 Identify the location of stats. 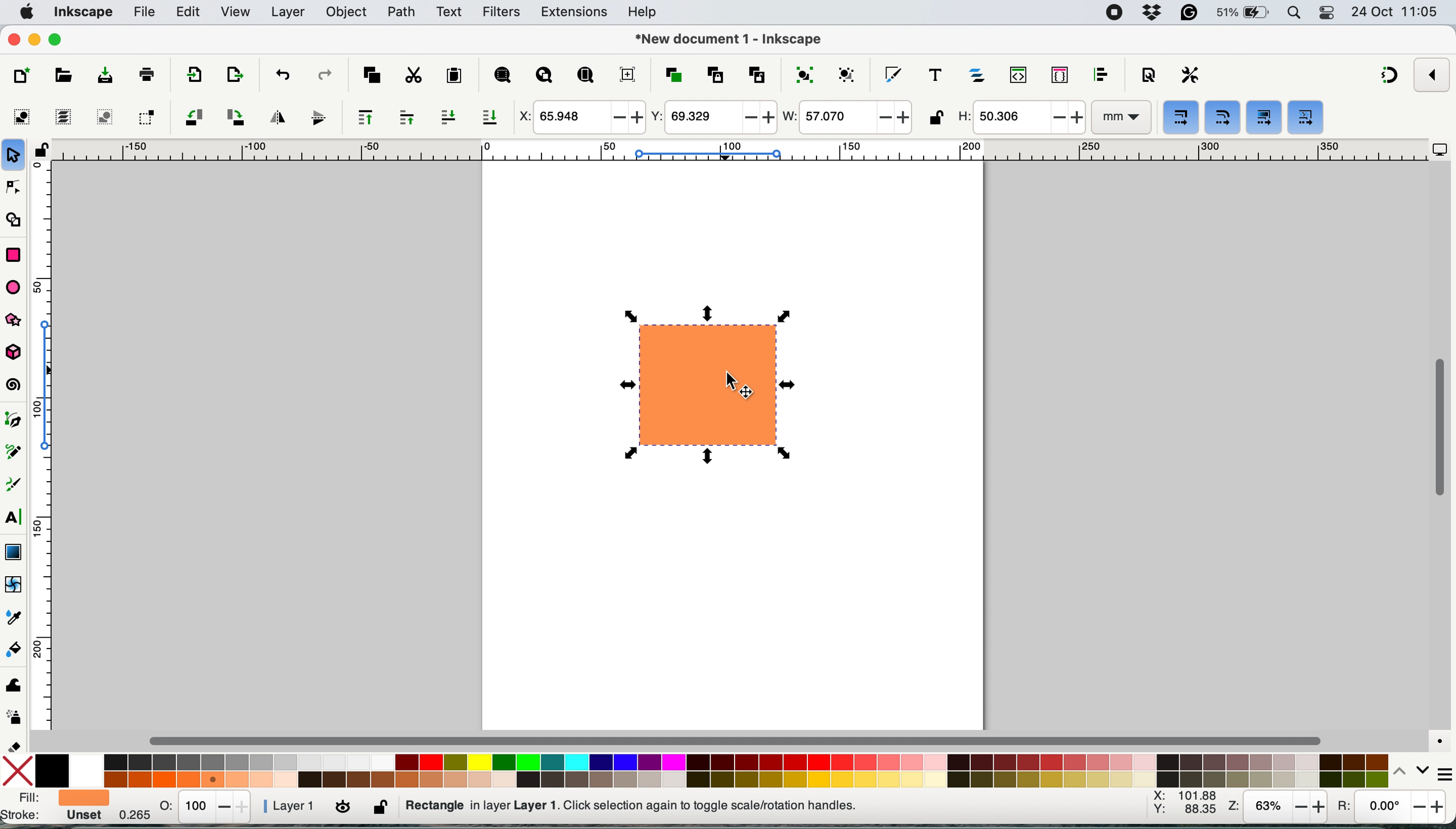
(206, 806).